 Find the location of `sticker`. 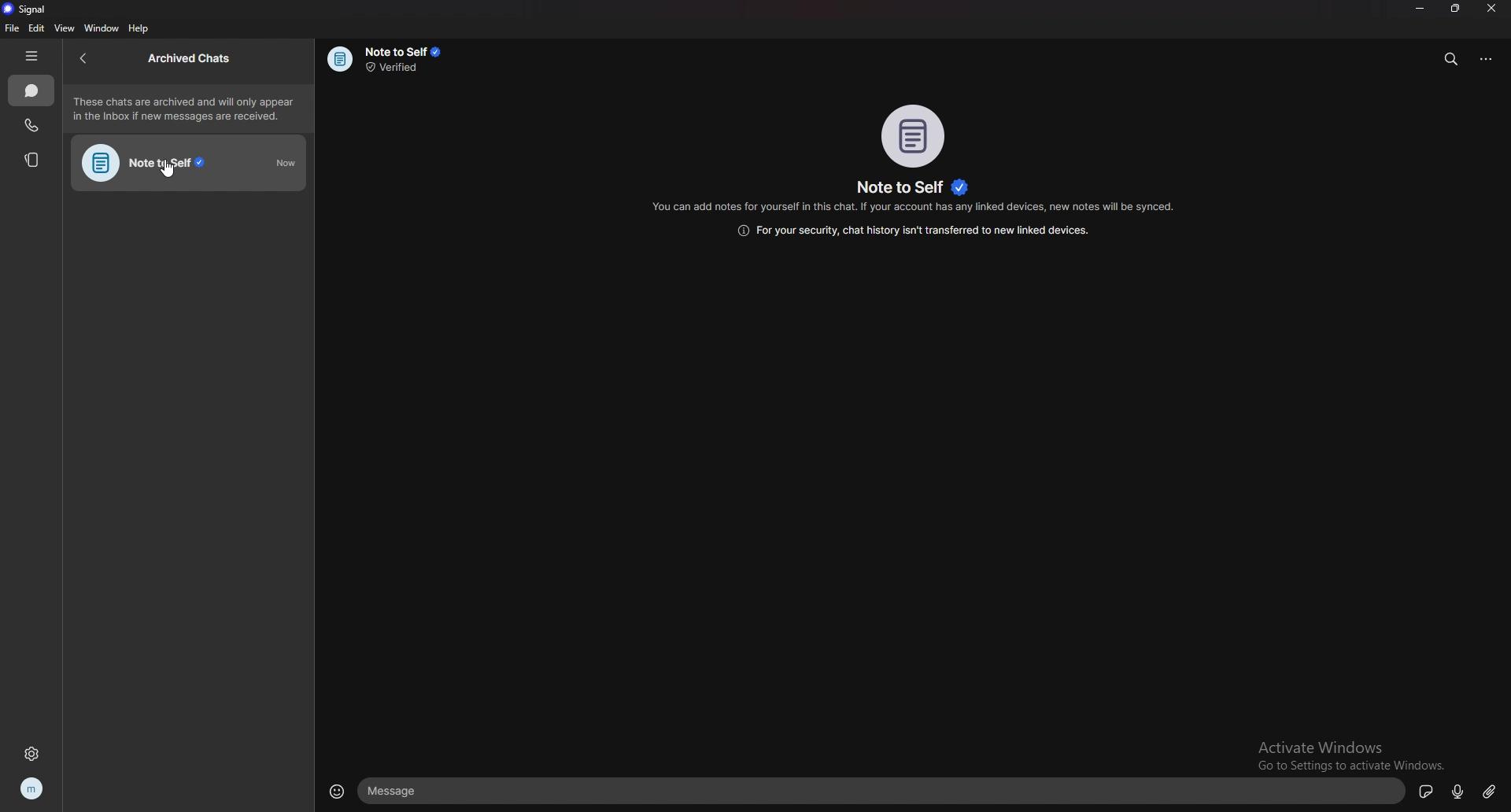

sticker is located at coordinates (1427, 791).